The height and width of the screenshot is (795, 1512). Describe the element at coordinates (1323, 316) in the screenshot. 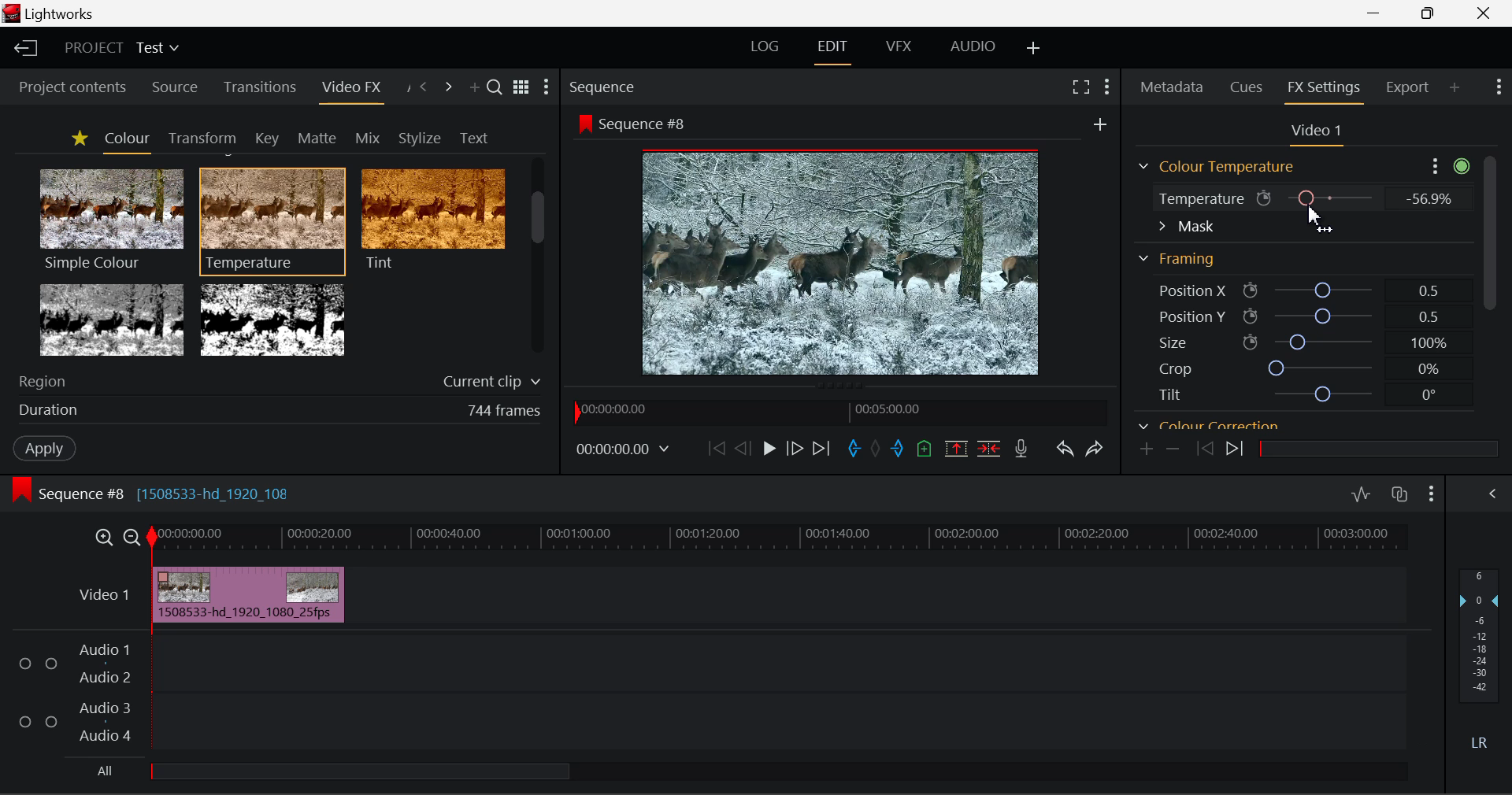

I see `Position Y` at that location.